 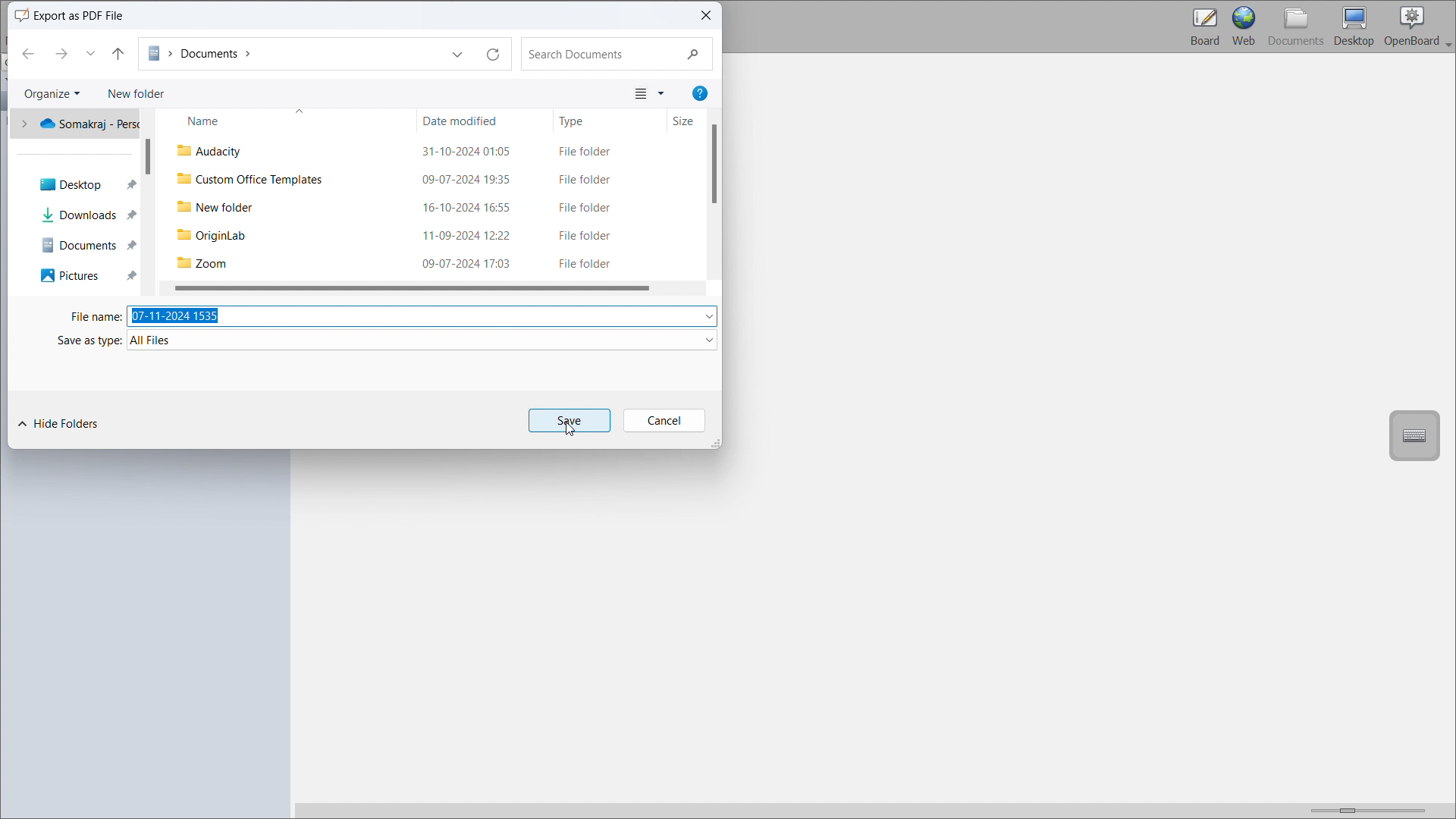 What do you see at coordinates (663, 420) in the screenshot?
I see `cancel` at bounding box center [663, 420].